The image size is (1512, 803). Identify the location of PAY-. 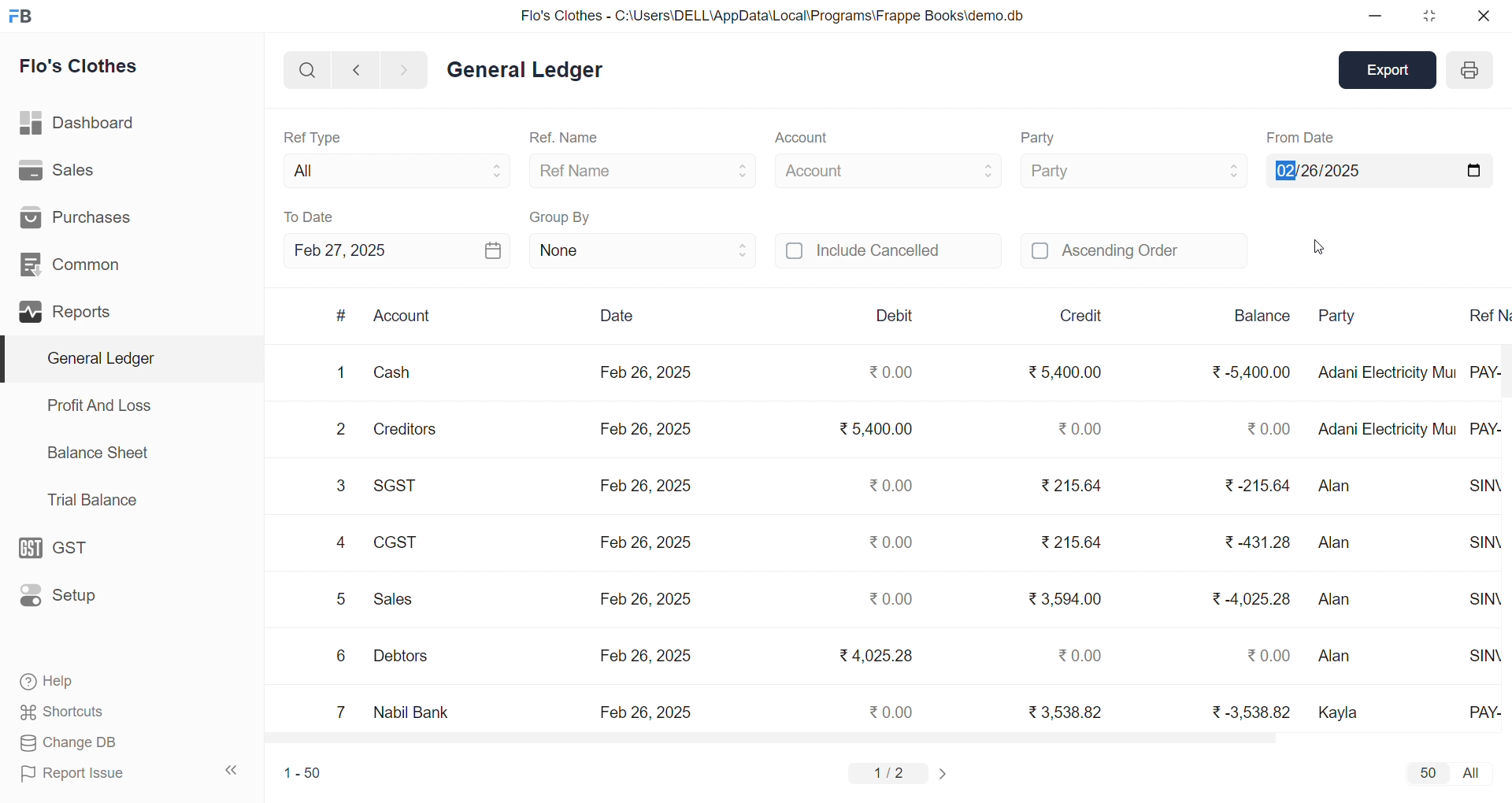
(1482, 712).